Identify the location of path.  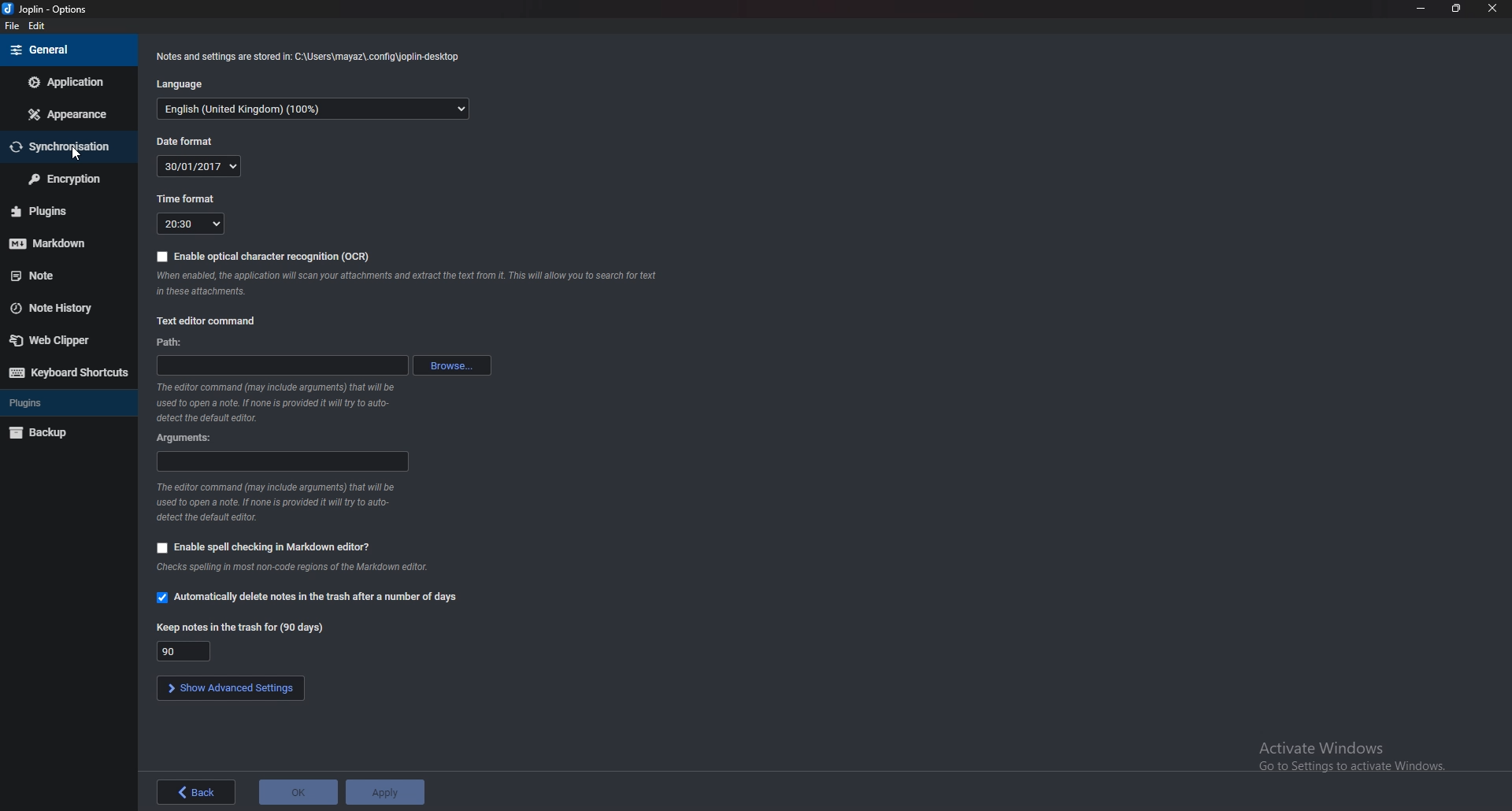
(175, 343).